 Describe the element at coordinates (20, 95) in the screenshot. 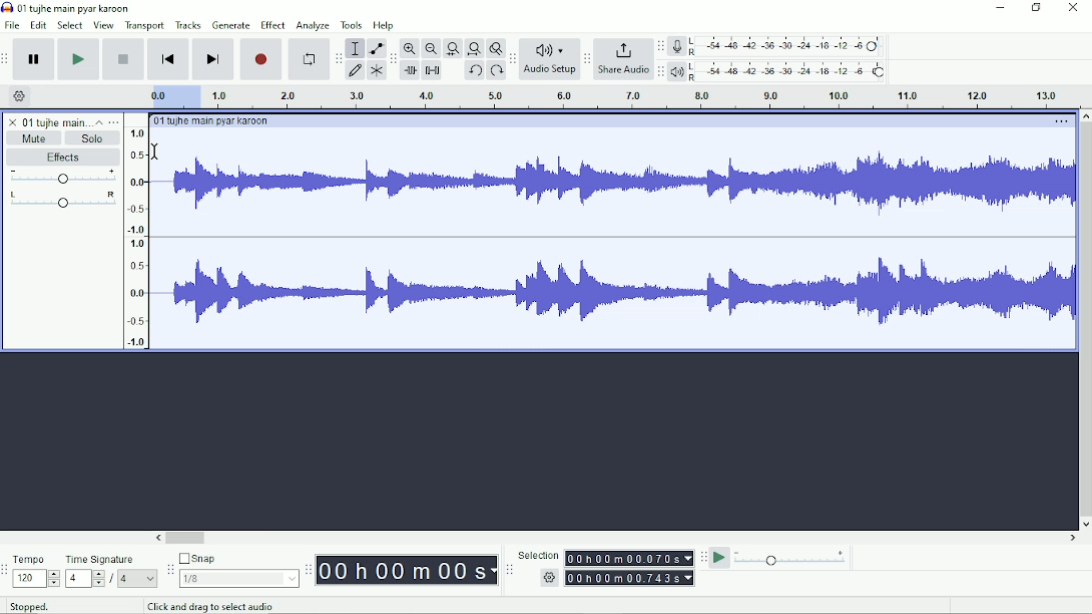

I see `Setting logo` at that location.